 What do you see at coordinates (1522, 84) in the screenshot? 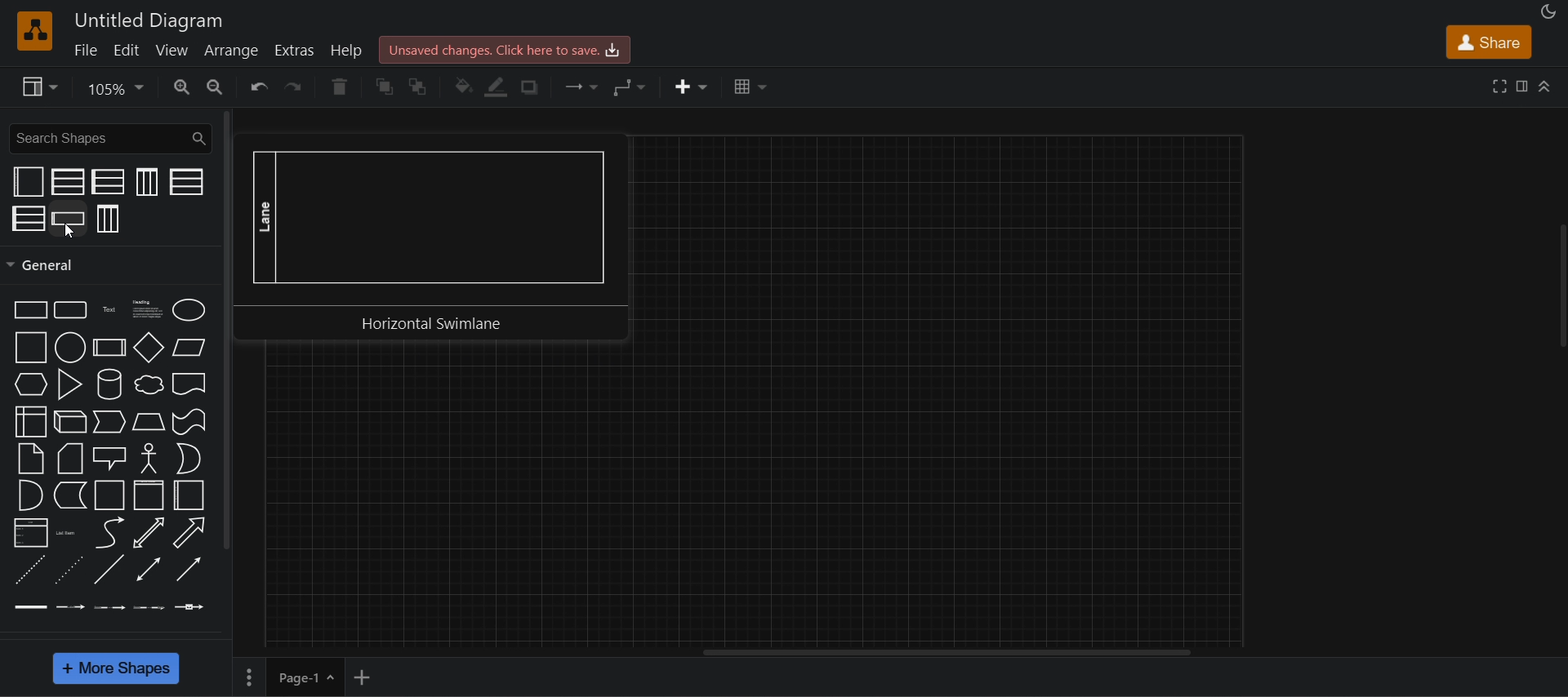
I see `format` at bounding box center [1522, 84].